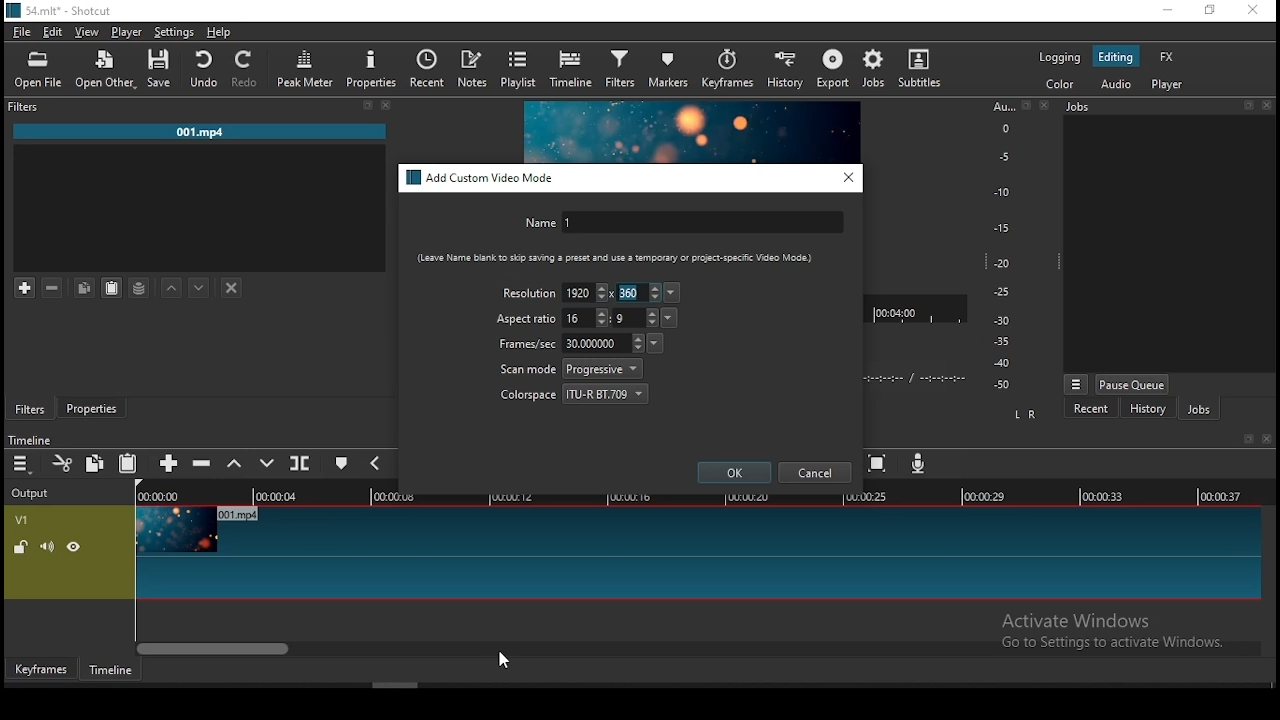 This screenshot has height=720, width=1280. Describe the element at coordinates (520, 68) in the screenshot. I see `playlist` at that location.